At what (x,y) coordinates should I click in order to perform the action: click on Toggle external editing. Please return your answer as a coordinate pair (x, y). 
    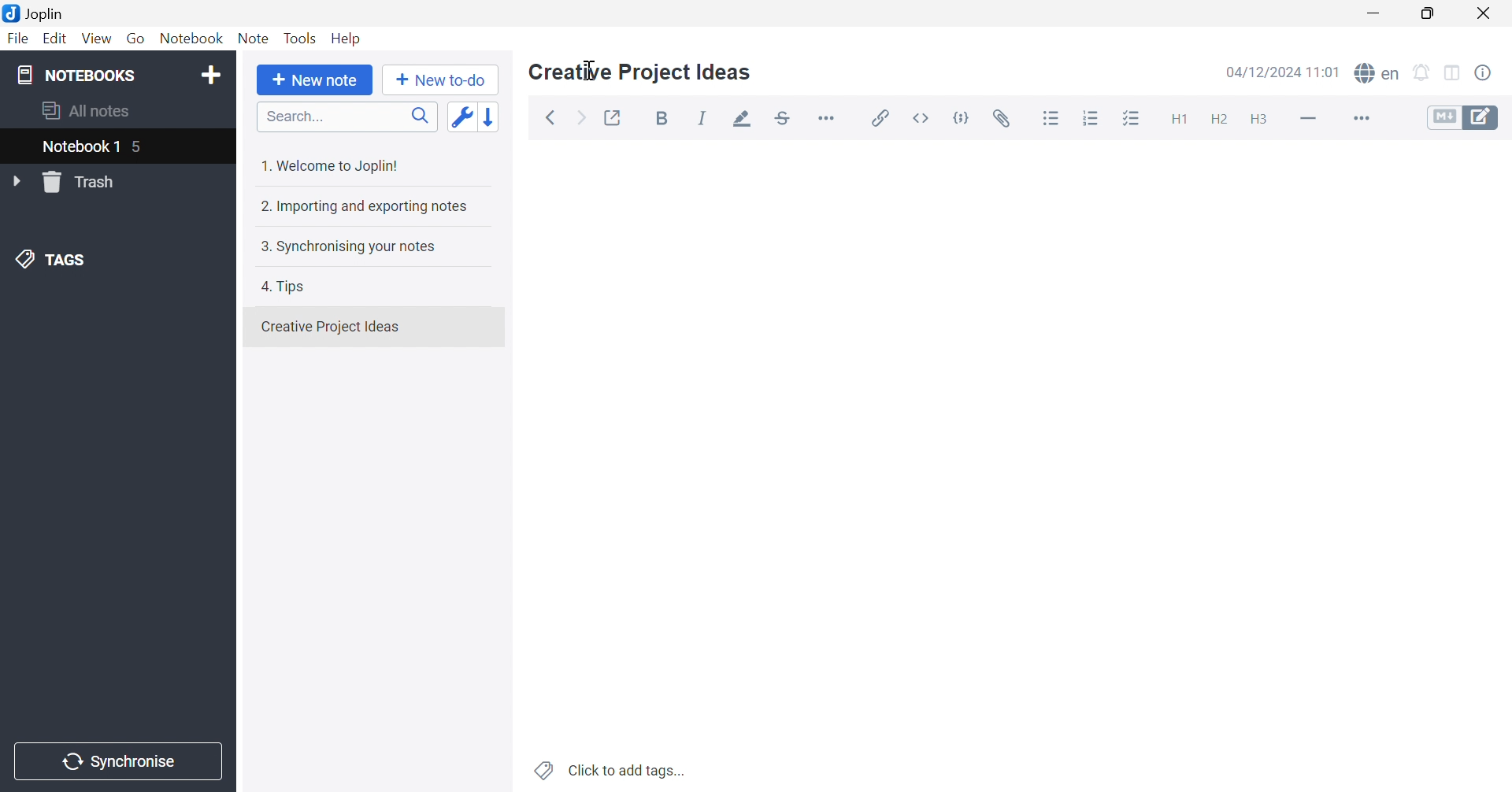
    Looking at the image, I should click on (611, 119).